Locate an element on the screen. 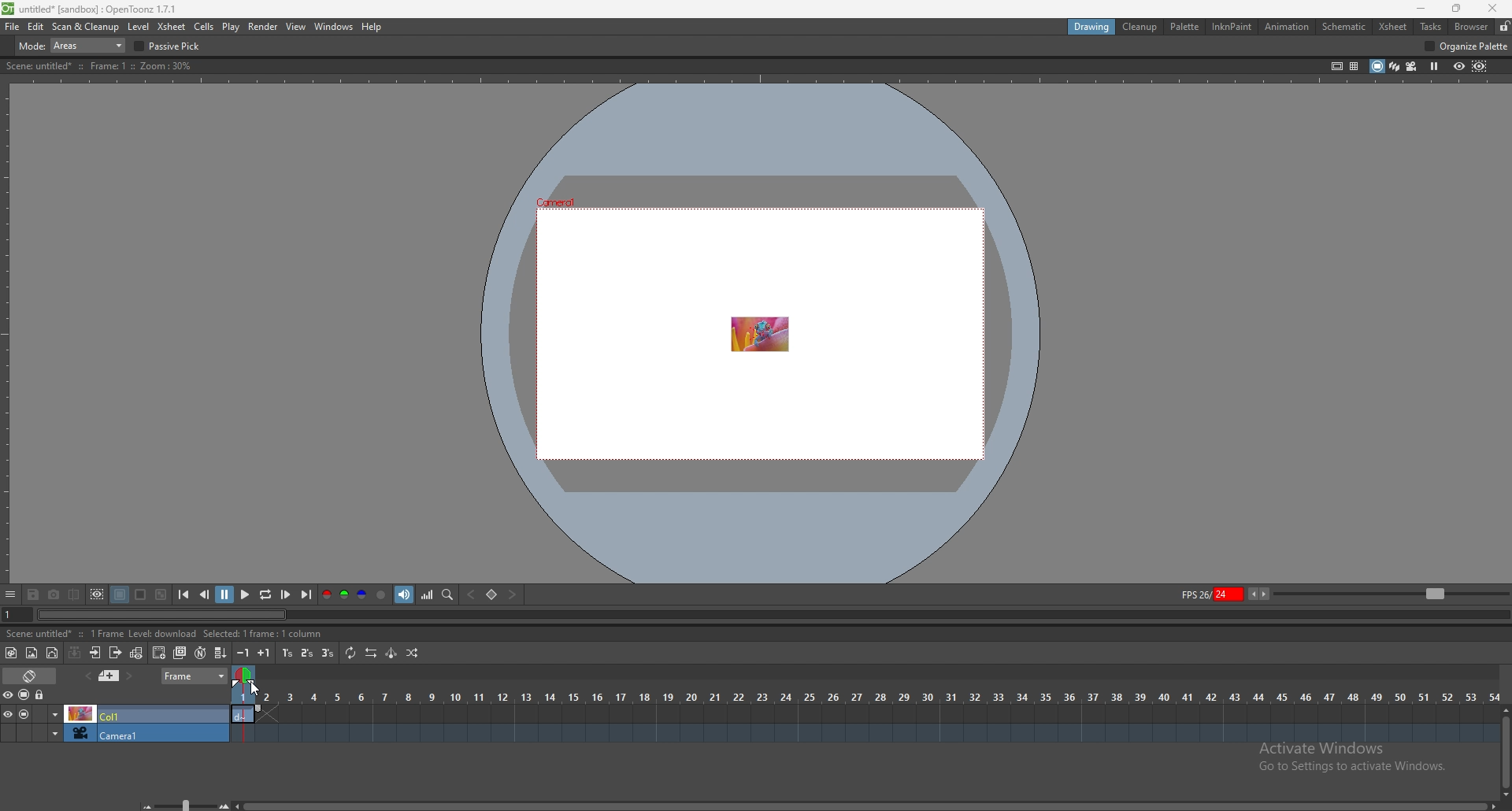 This screenshot has height=811, width=1512. title is located at coordinates (92, 9).